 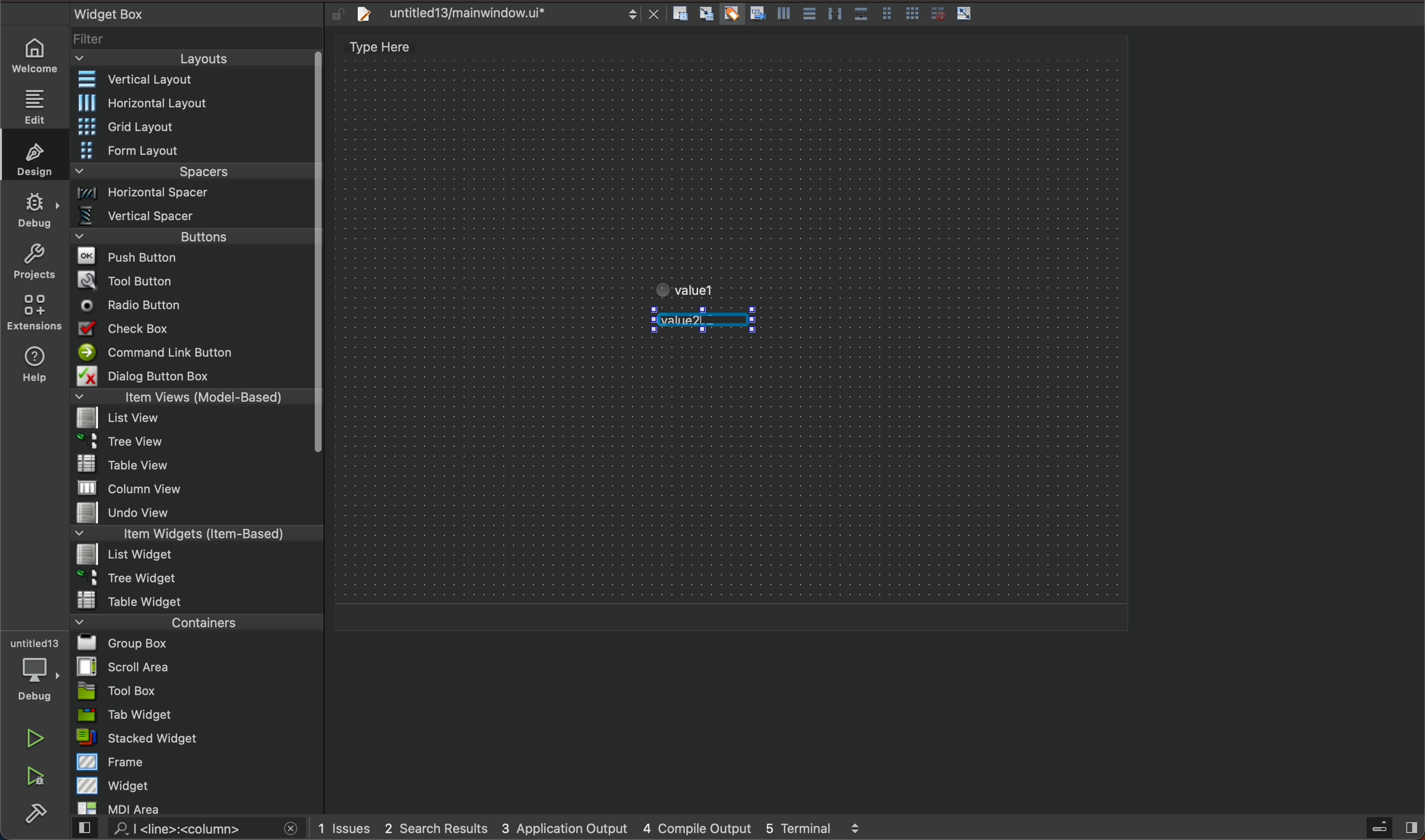 What do you see at coordinates (200, 103) in the screenshot?
I see `` at bounding box center [200, 103].